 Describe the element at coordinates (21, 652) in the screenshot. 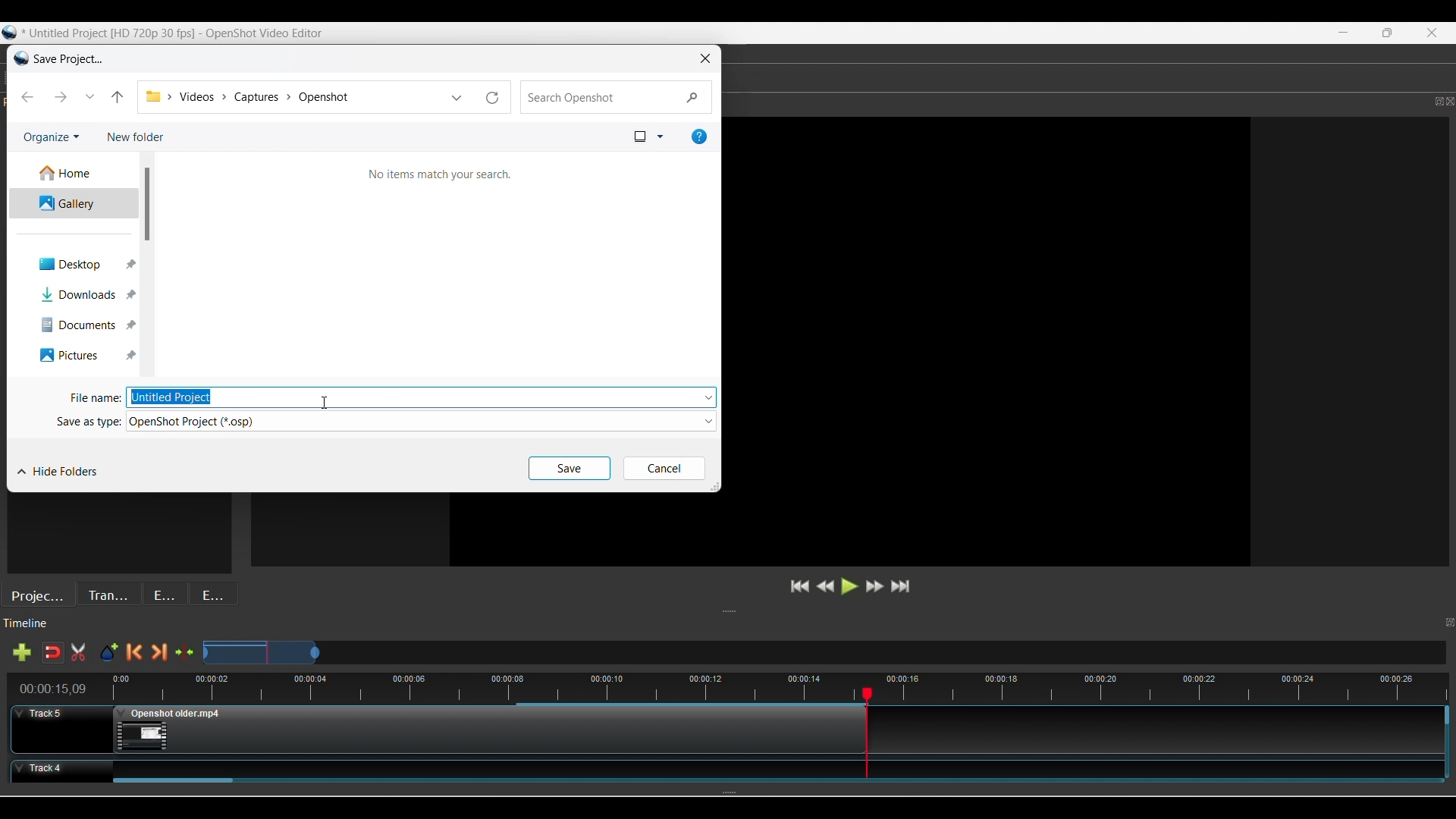

I see `Add track` at that location.